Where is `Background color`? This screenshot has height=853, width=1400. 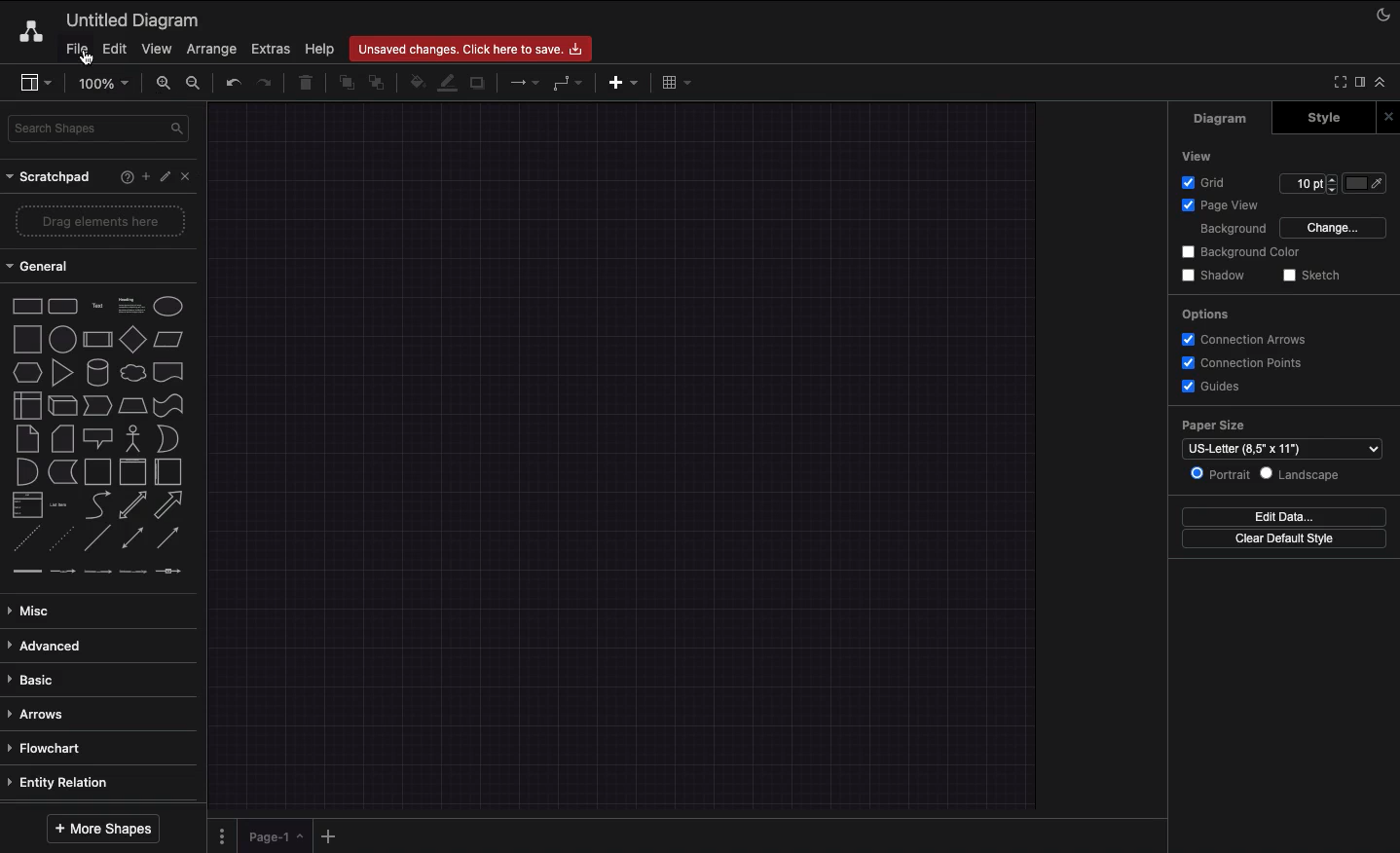
Background color is located at coordinates (1243, 252).